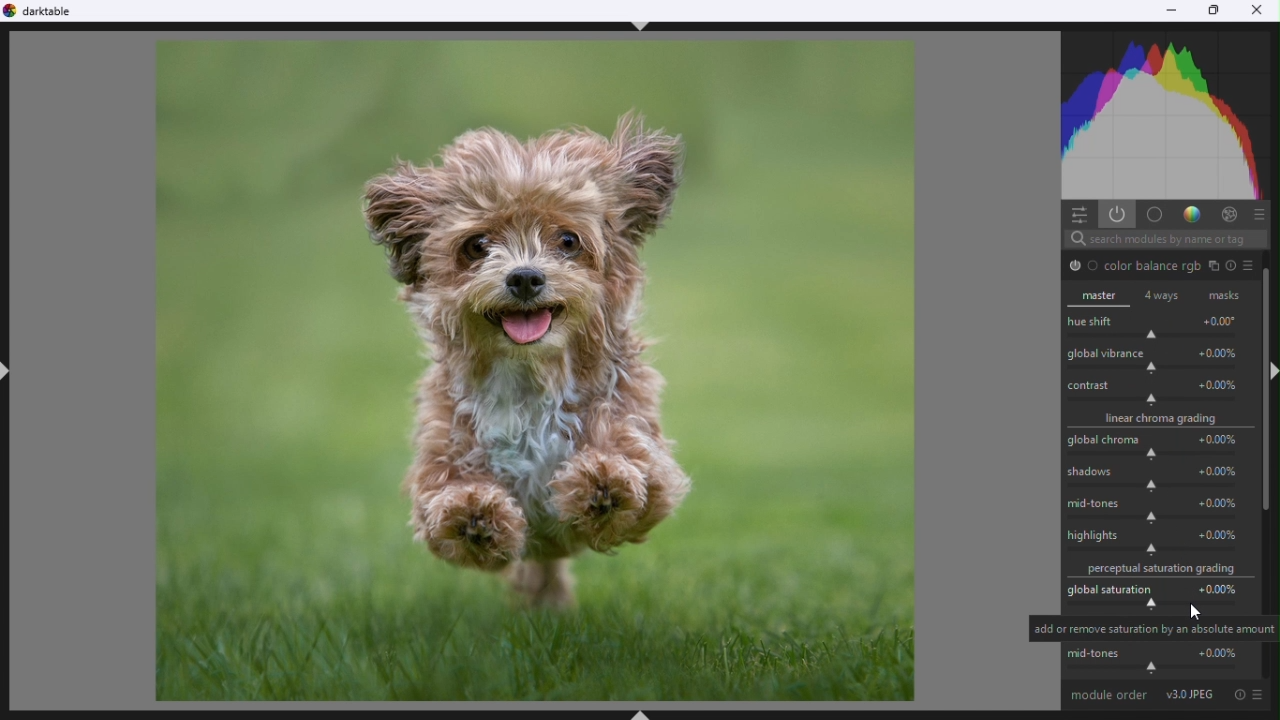 This screenshot has width=1280, height=720. Describe the element at coordinates (531, 352) in the screenshot. I see `selected image` at that location.